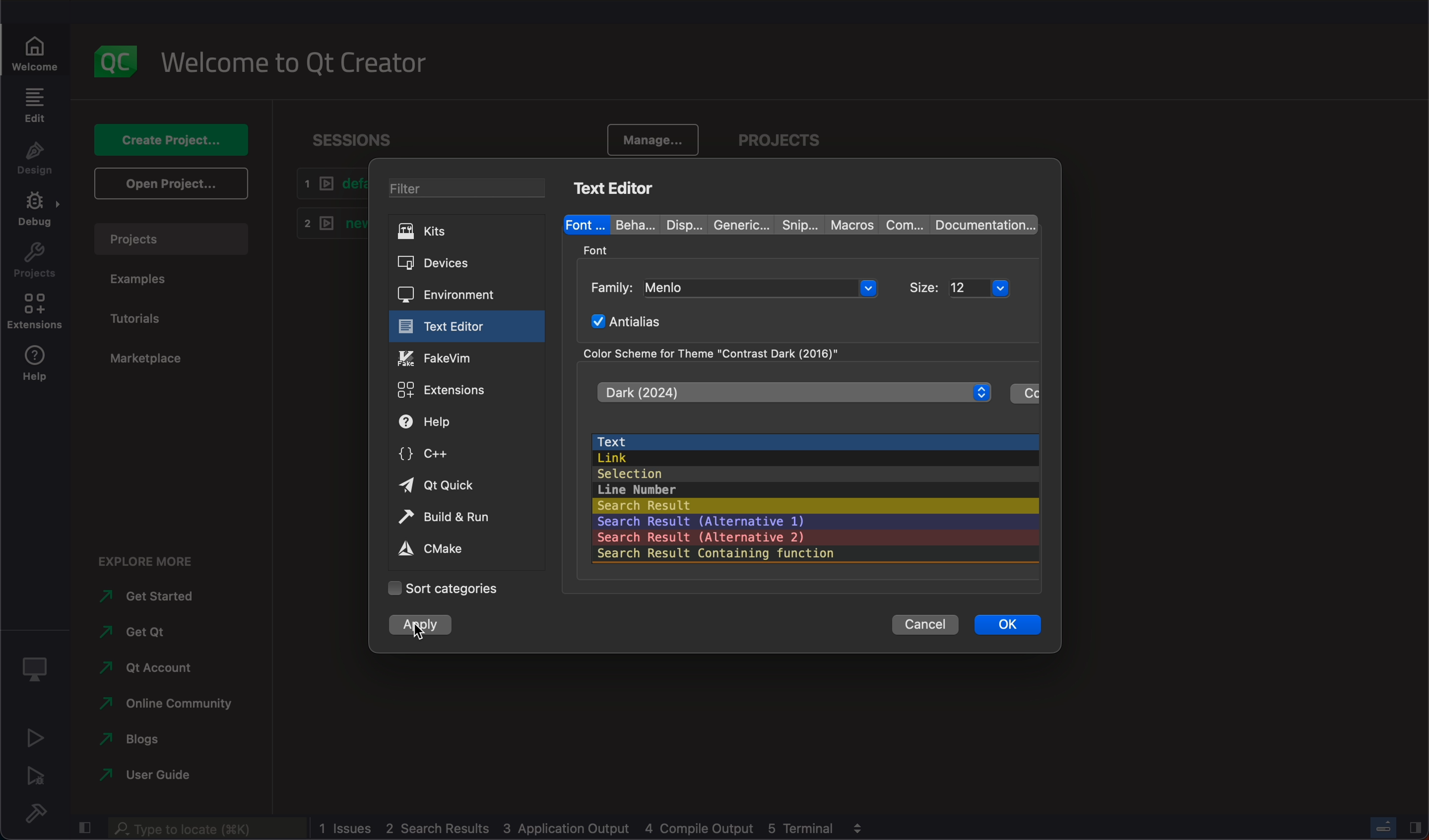 This screenshot has height=840, width=1429. What do you see at coordinates (467, 264) in the screenshot?
I see `devices` at bounding box center [467, 264].